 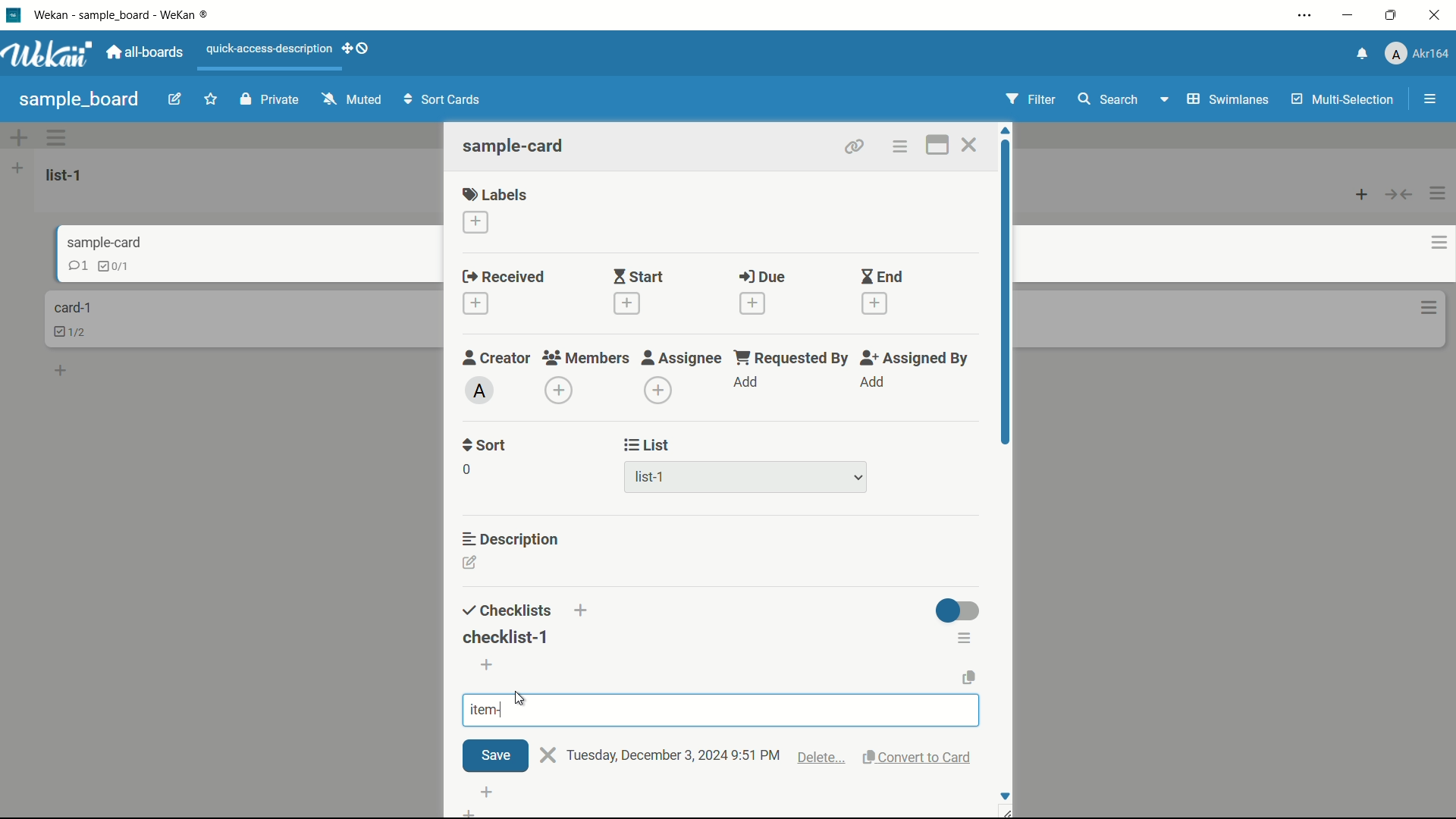 I want to click on end, so click(x=882, y=276).